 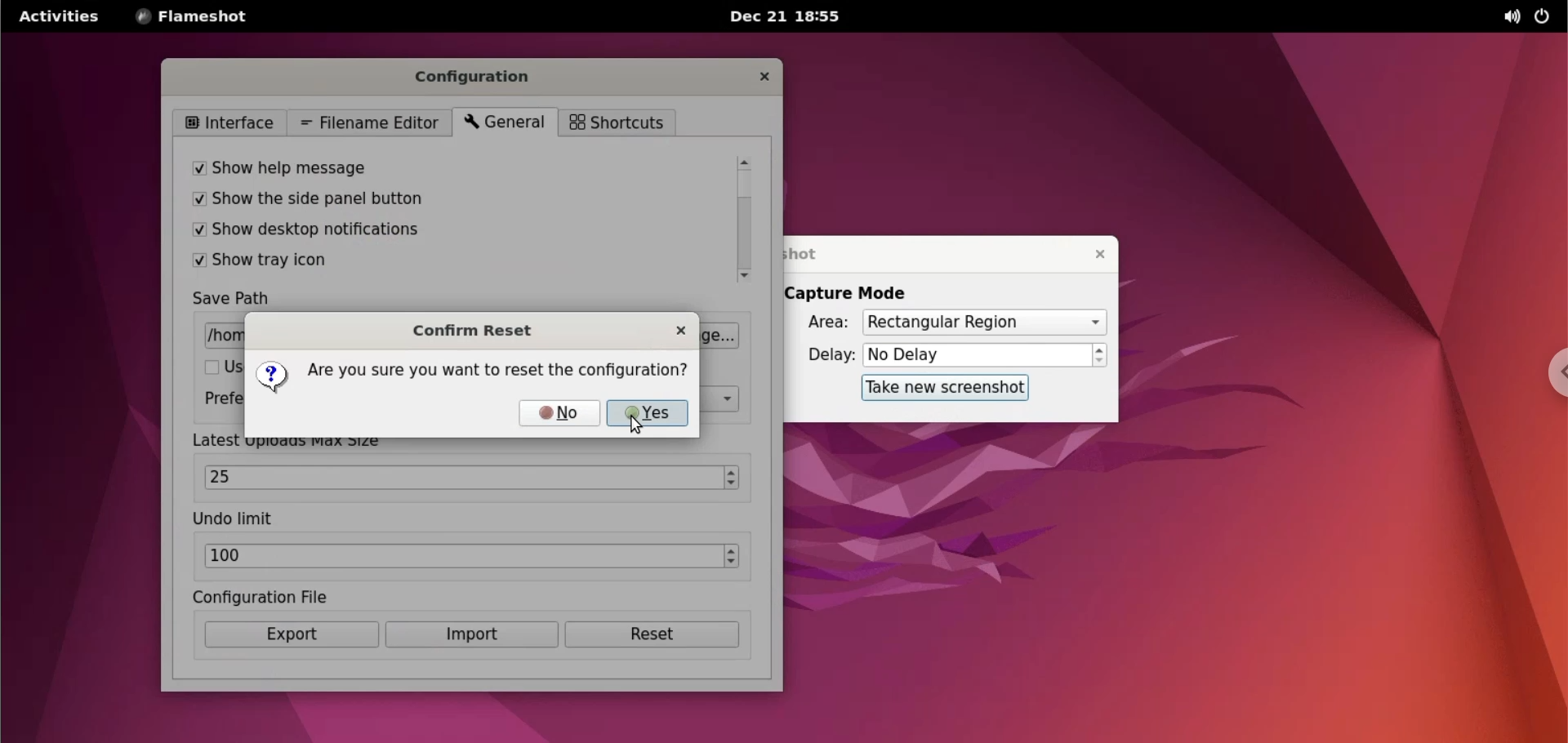 I want to click on Rectangular Region, so click(x=983, y=323).